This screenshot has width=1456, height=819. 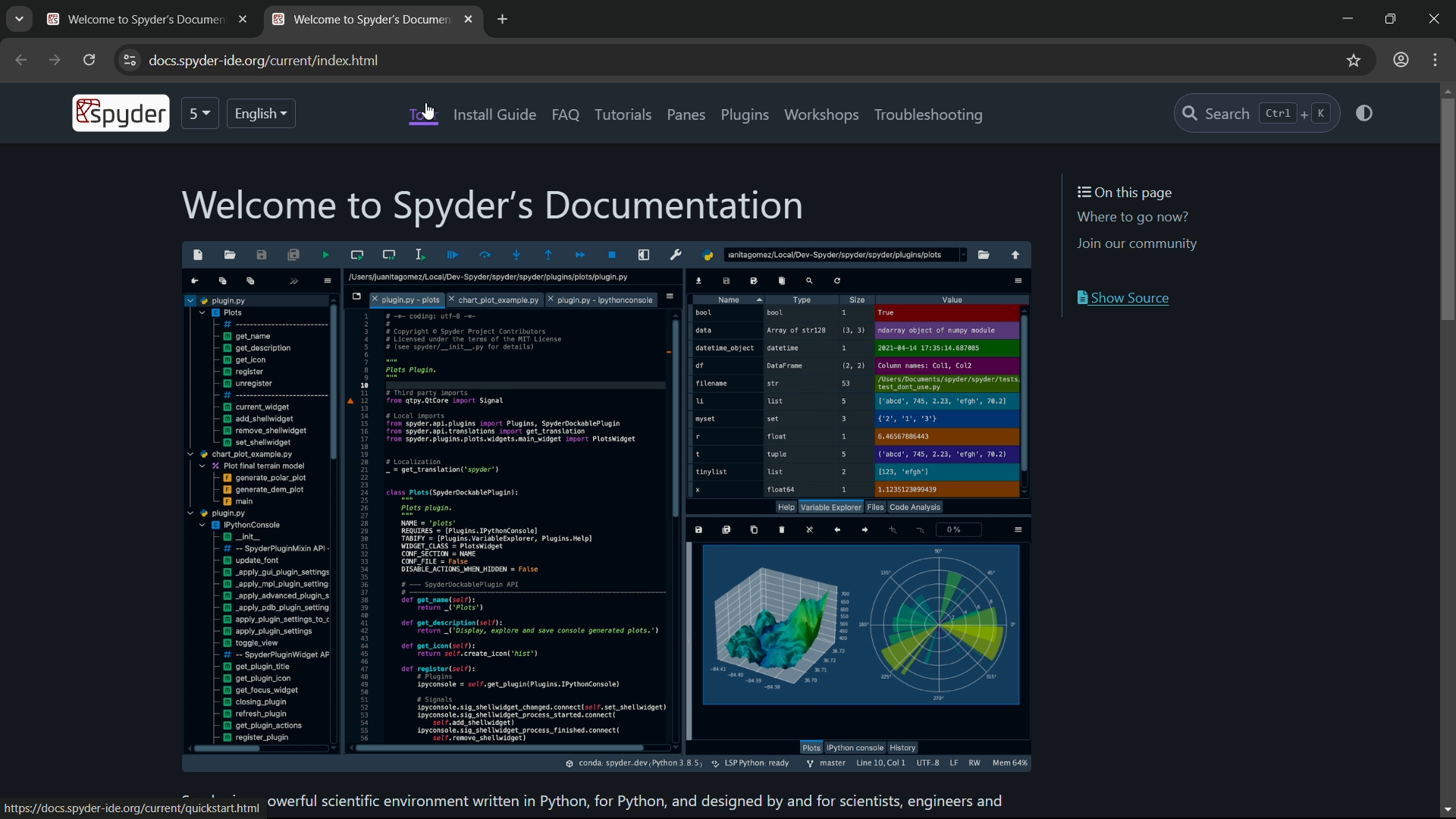 What do you see at coordinates (566, 115) in the screenshot?
I see `faq` at bounding box center [566, 115].